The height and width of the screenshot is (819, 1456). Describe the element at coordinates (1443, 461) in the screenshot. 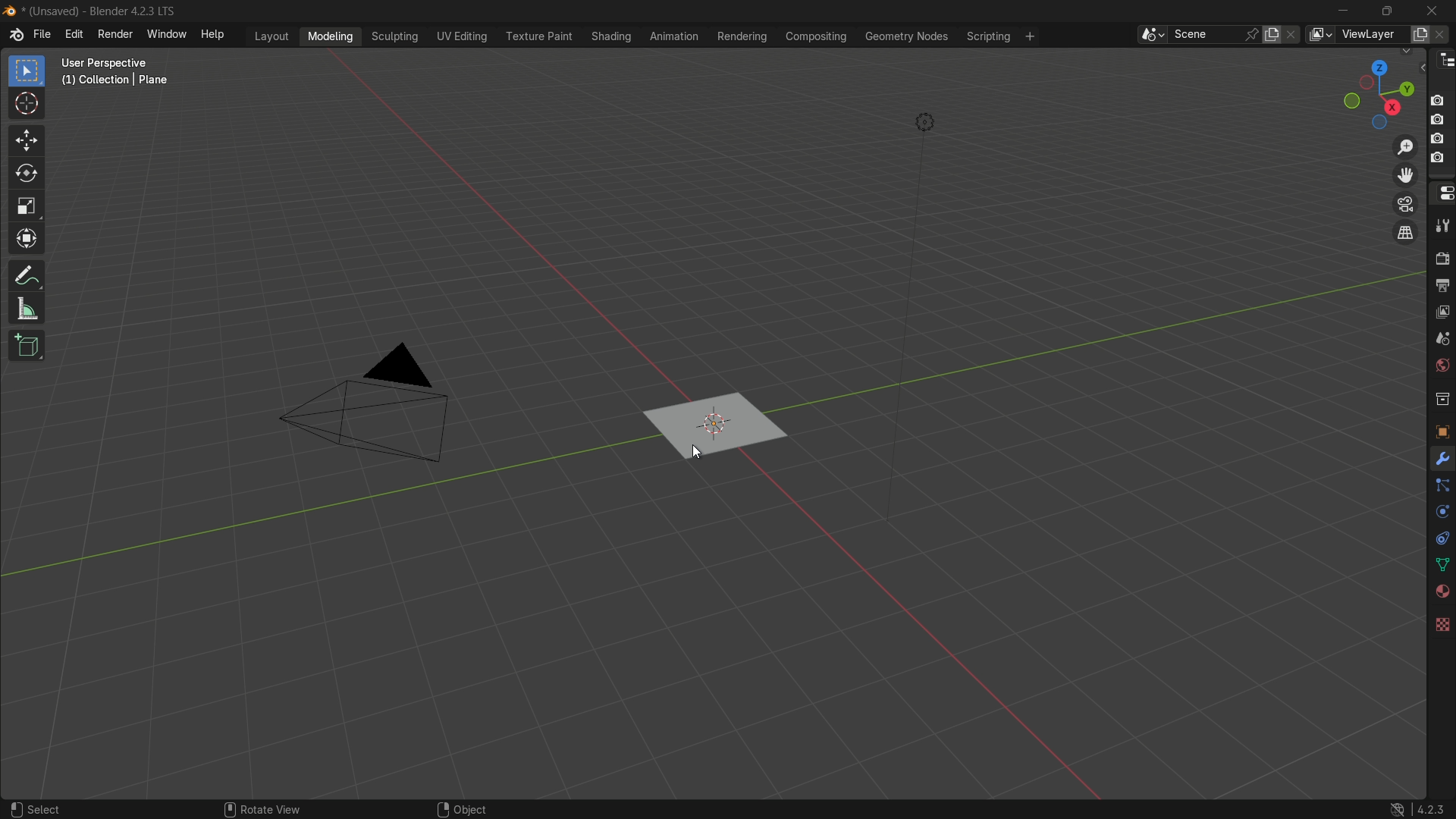

I see `tools` at that location.